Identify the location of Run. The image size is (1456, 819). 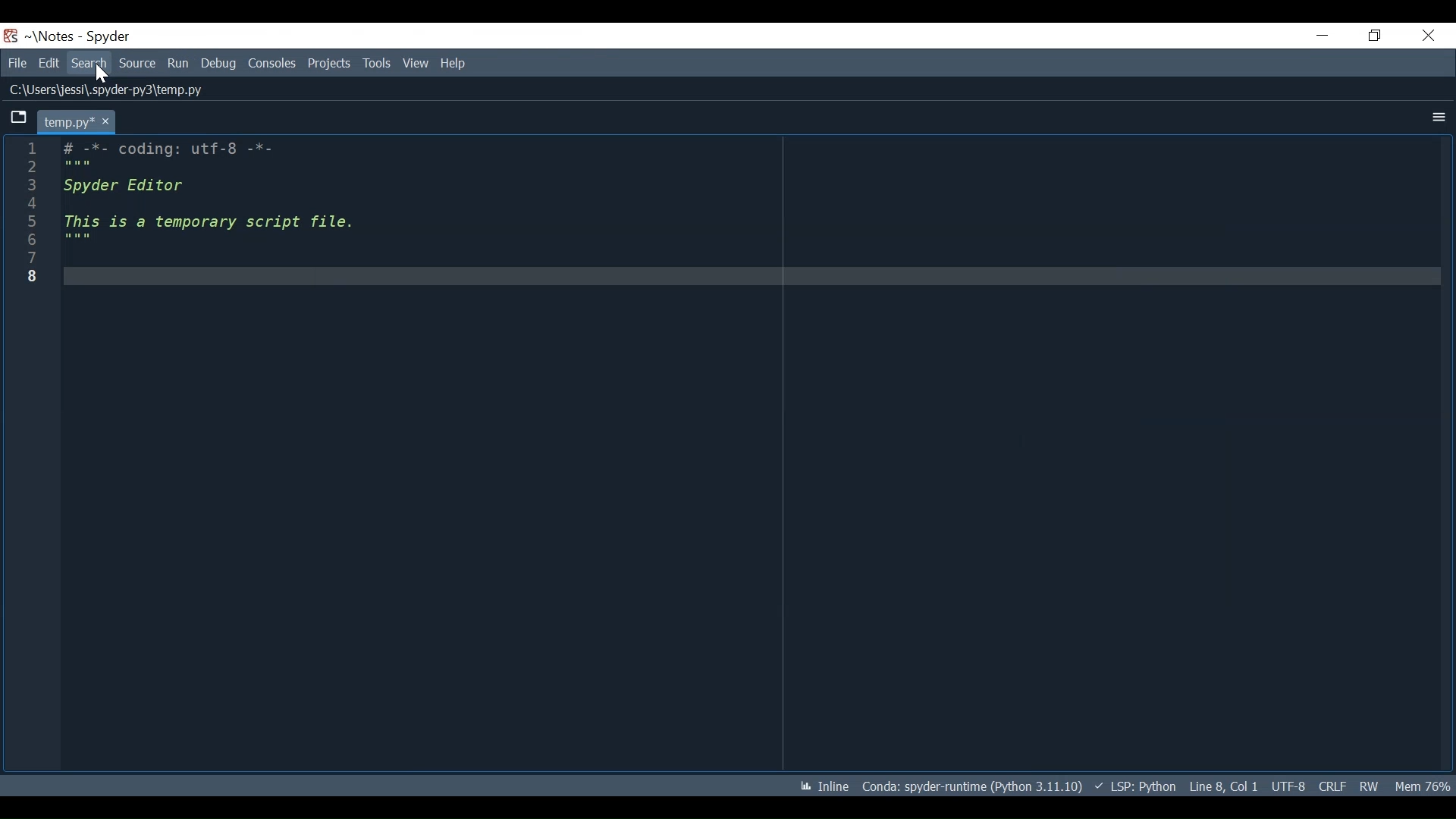
(181, 63).